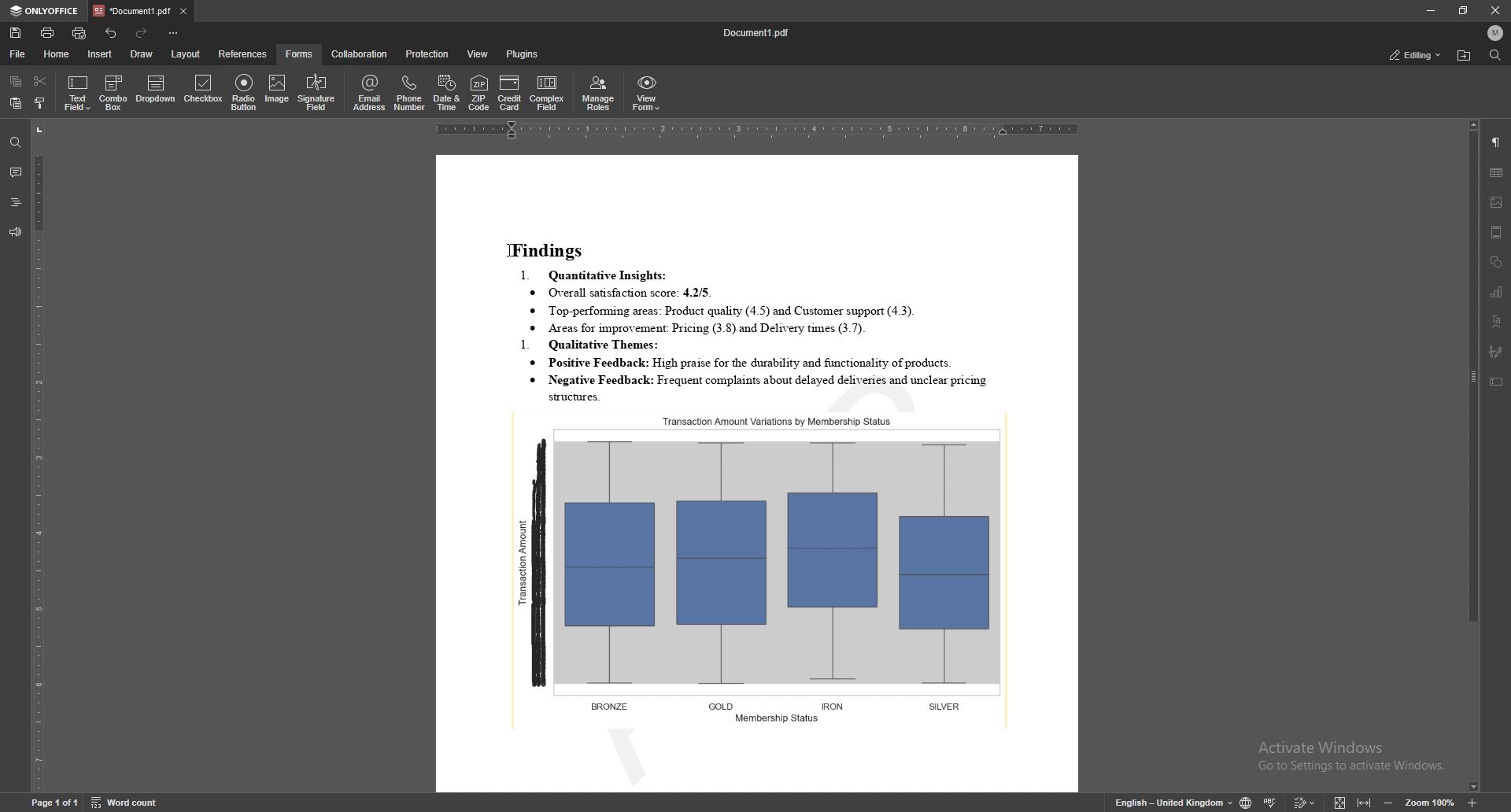 The height and width of the screenshot is (812, 1511). What do you see at coordinates (1496, 142) in the screenshot?
I see `paragraph` at bounding box center [1496, 142].